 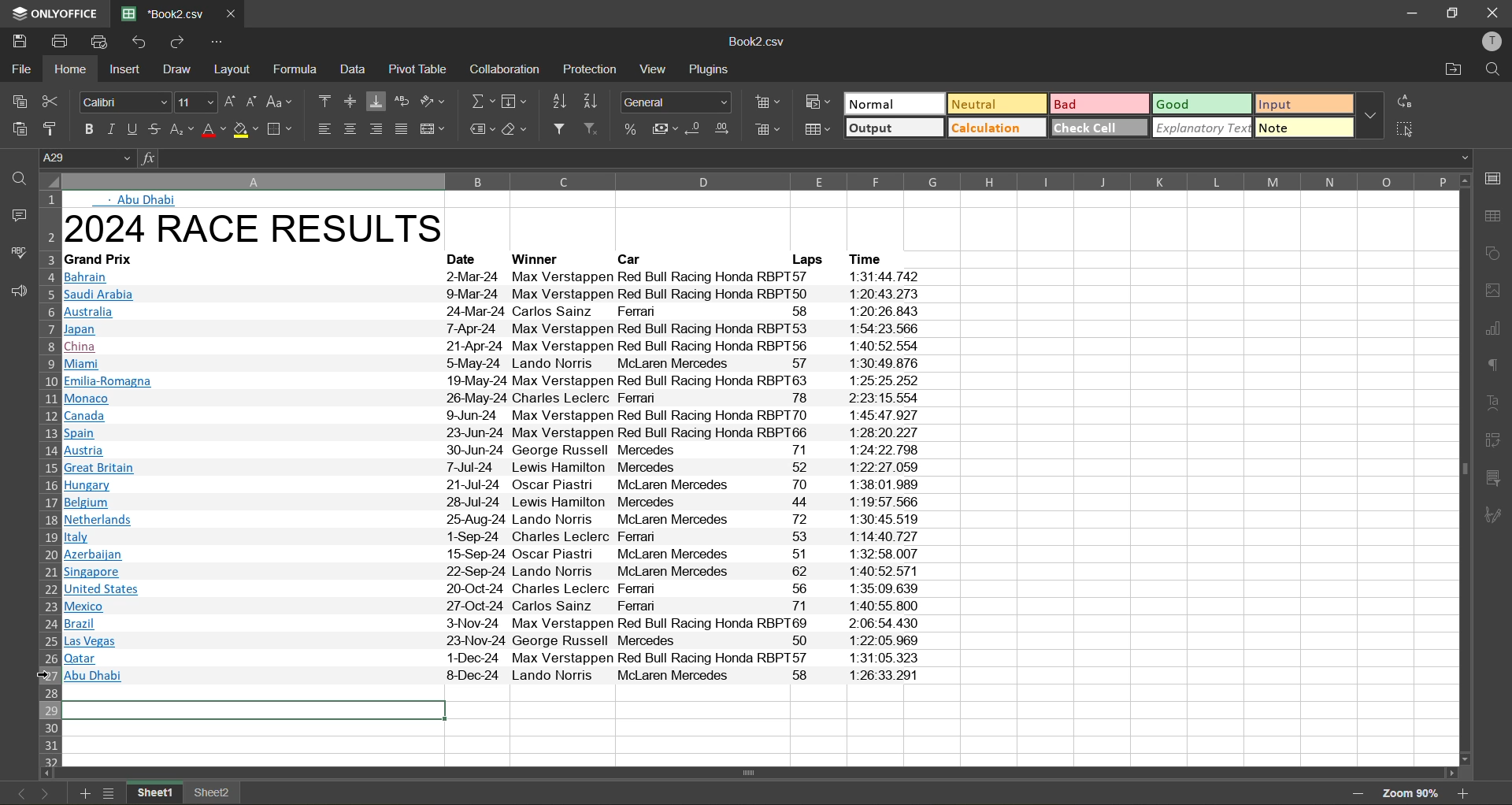 What do you see at coordinates (1495, 444) in the screenshot?
I see `pivot table` at bounding box center [1495, 444].